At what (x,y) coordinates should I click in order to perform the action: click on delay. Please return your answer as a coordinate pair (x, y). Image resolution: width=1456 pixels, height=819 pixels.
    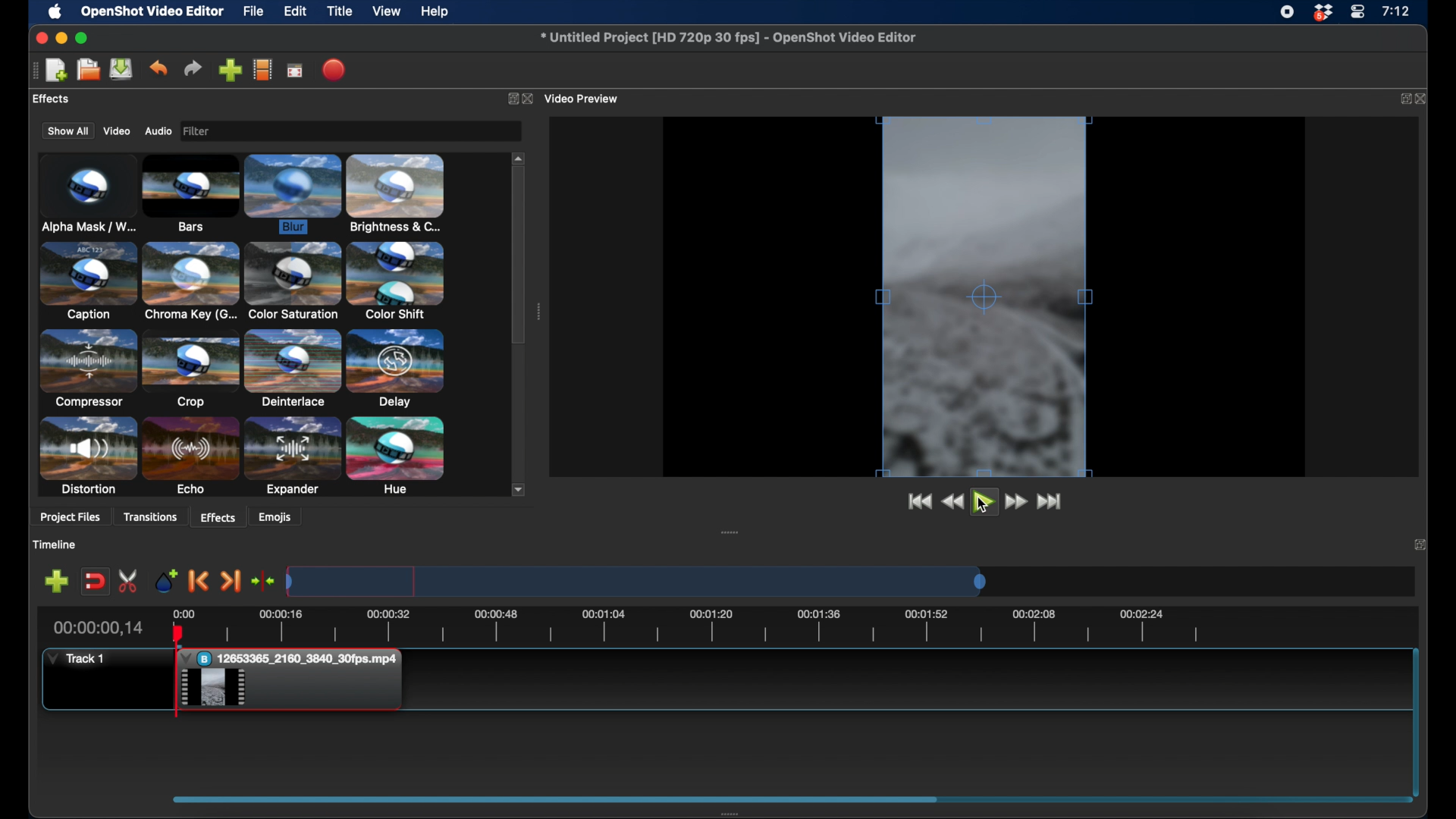
    Looking at the image, I should click on (396, 368).